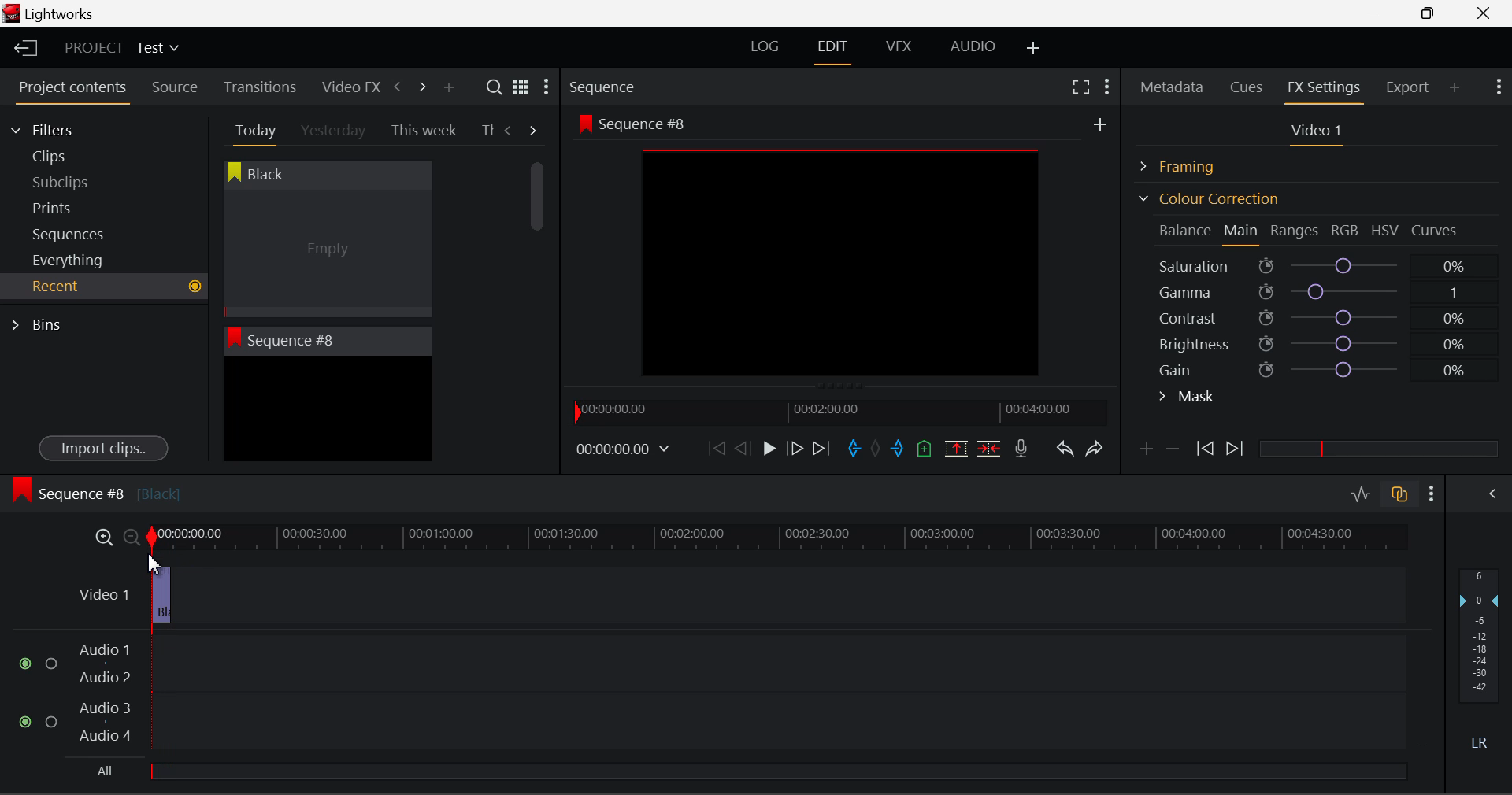 This screenshot has height=795, width=1512. I want to click on Remove marked section, so click(955, 447).